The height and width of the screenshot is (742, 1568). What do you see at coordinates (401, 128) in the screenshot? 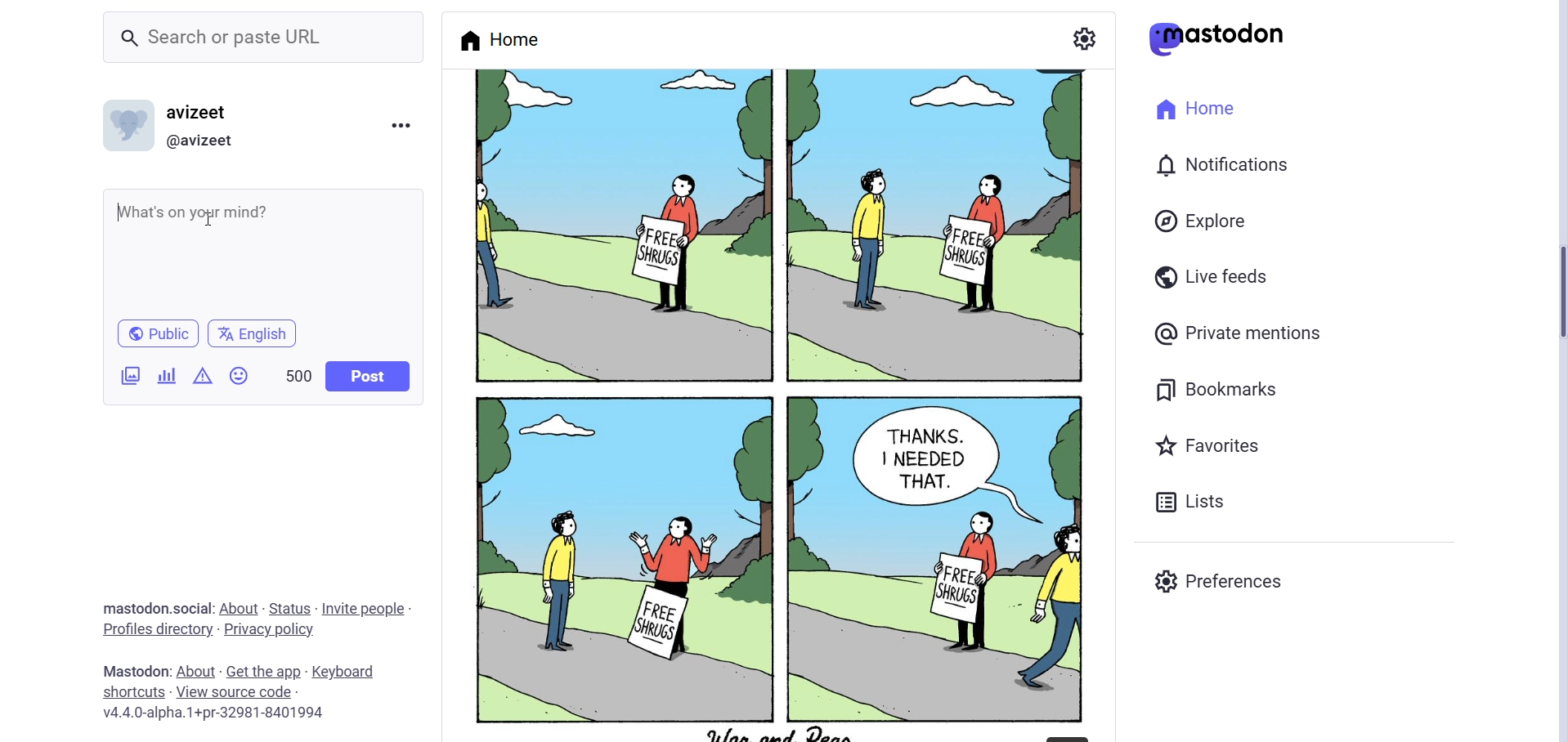
I see `Menu` at bounding box center [401, 128].